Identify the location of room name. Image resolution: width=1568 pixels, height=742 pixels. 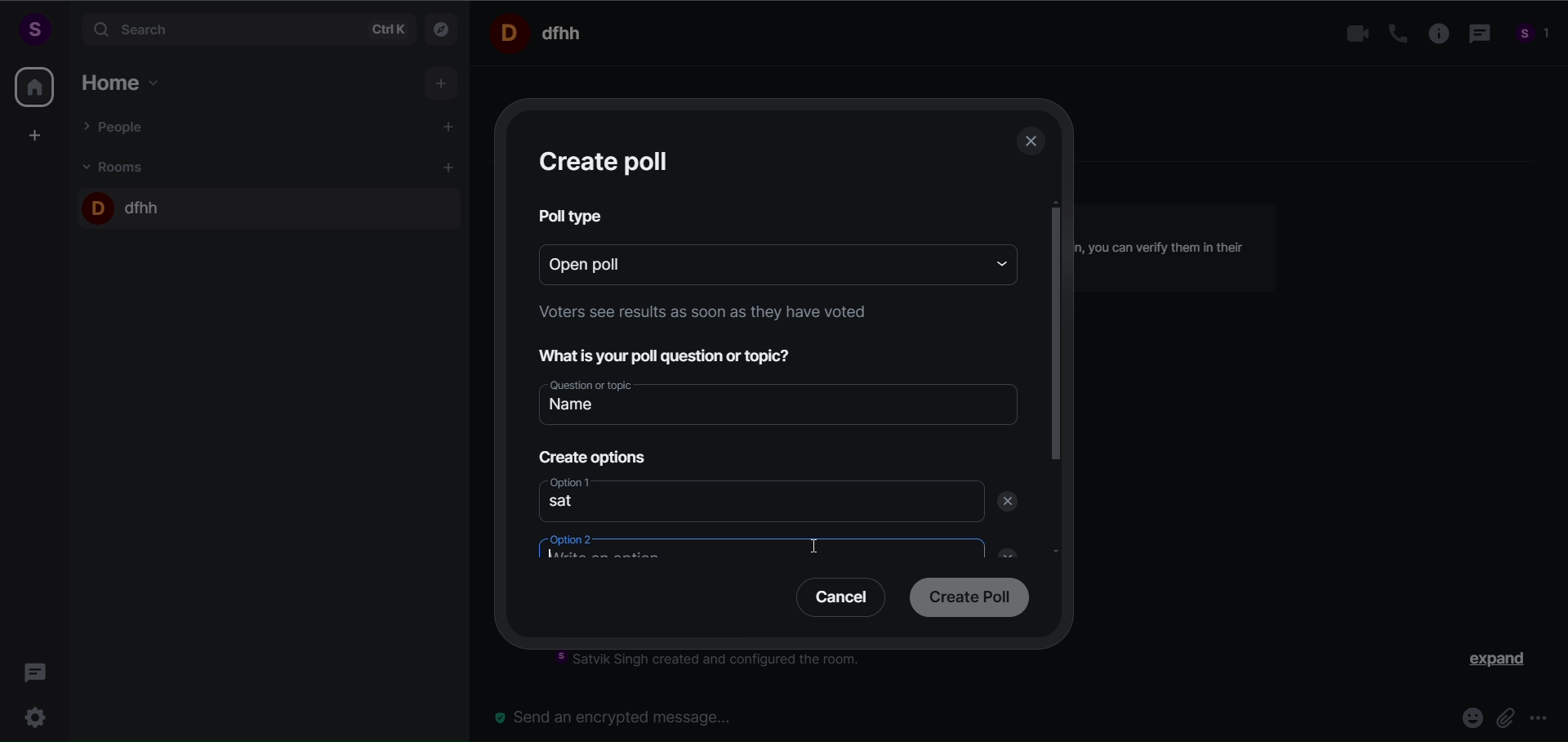
(542, 32).